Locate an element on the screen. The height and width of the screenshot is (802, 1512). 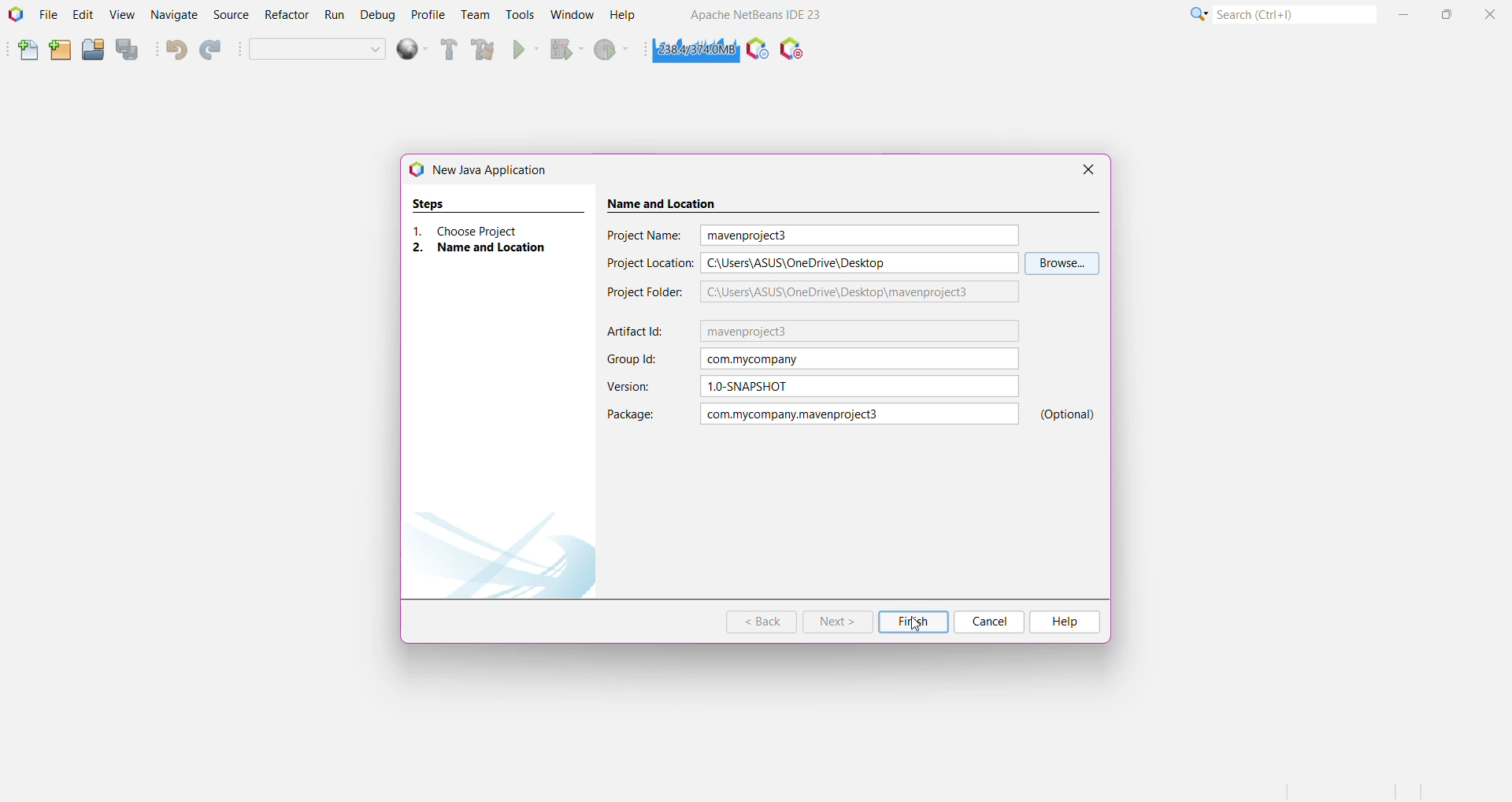
Close is located at coordinates (1088, 169).